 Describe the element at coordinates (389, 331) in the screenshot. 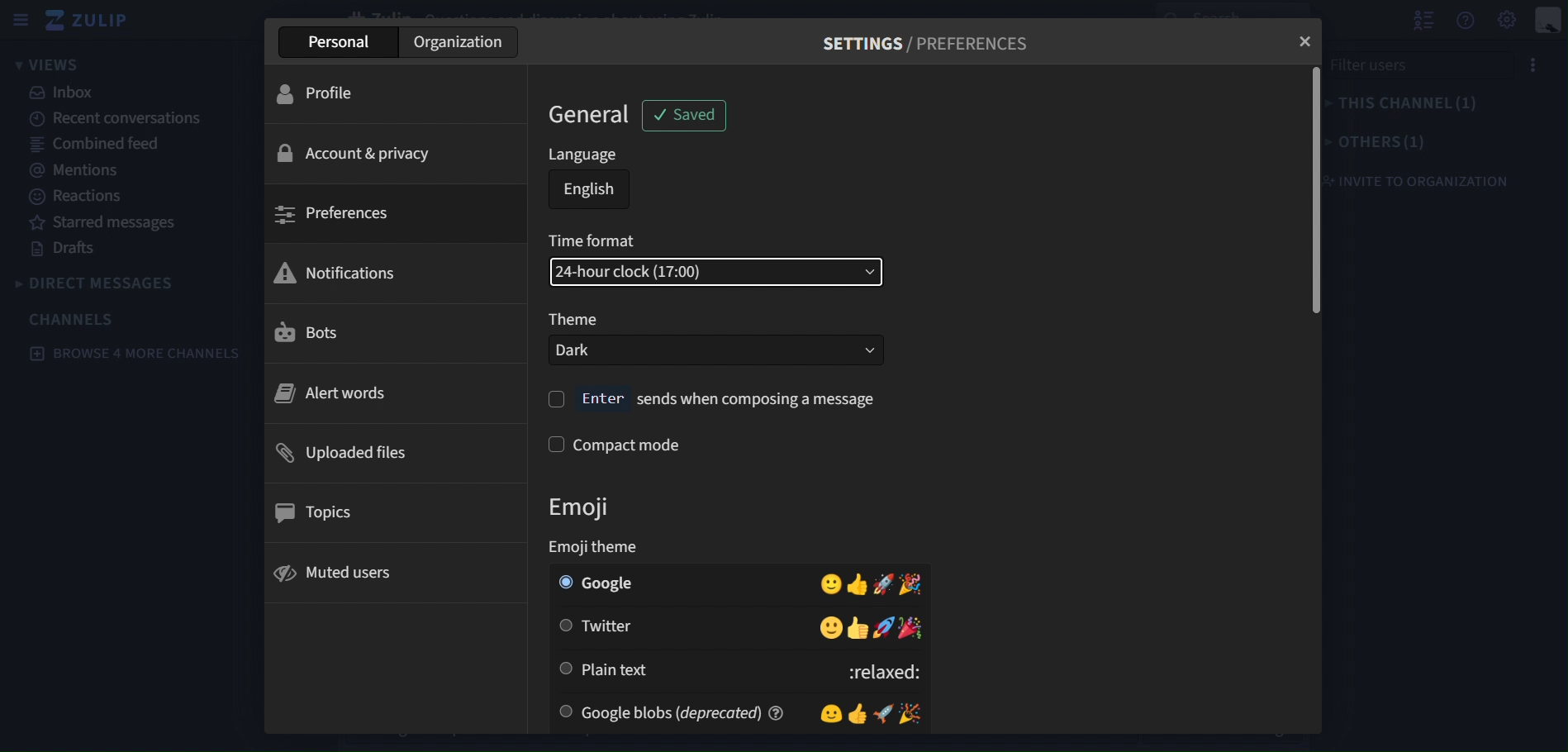

I see `bots` at that location.